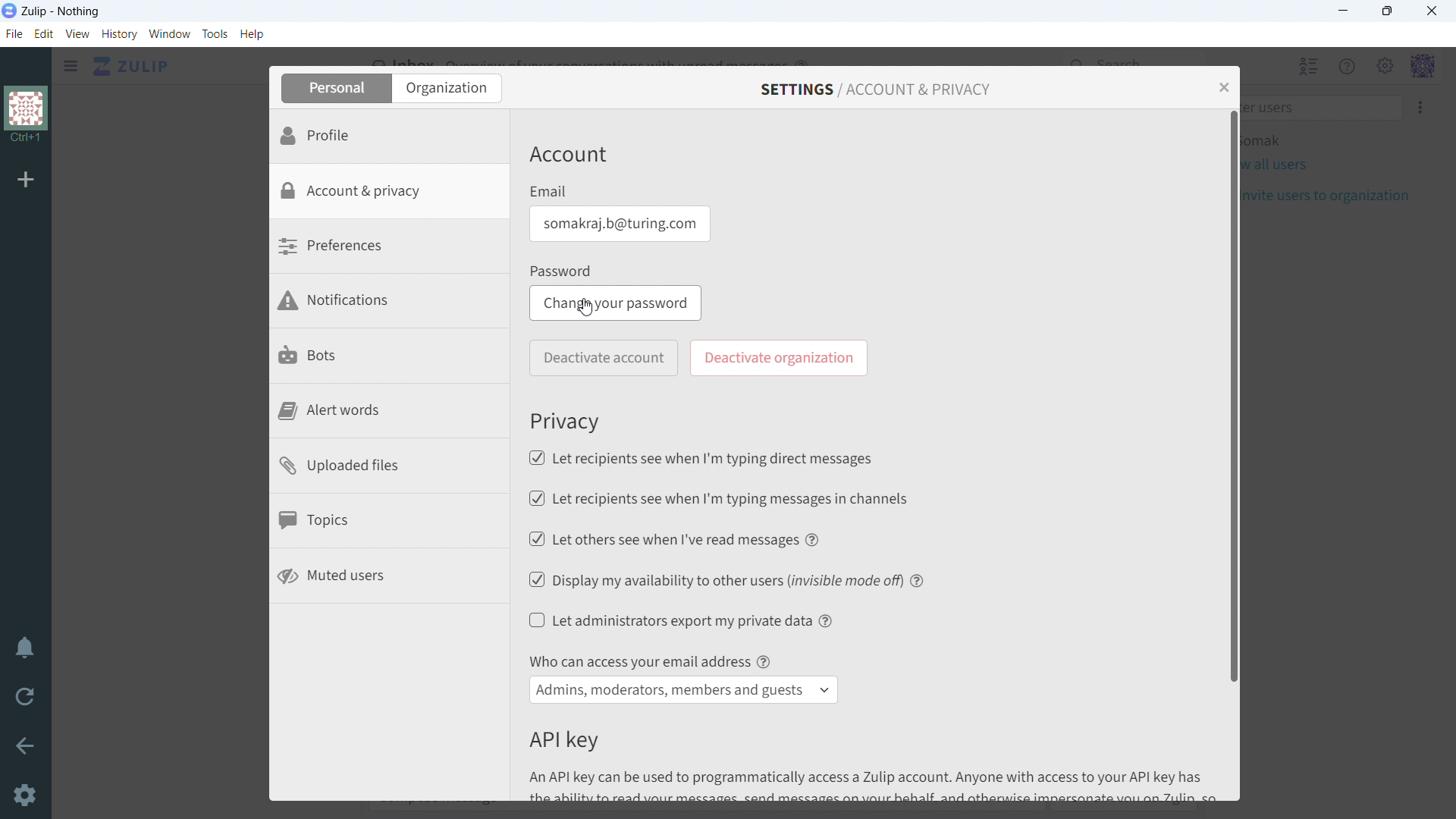  Describe the element at coordinates (388, 136) in the screenshot. I see `profile` at that location.